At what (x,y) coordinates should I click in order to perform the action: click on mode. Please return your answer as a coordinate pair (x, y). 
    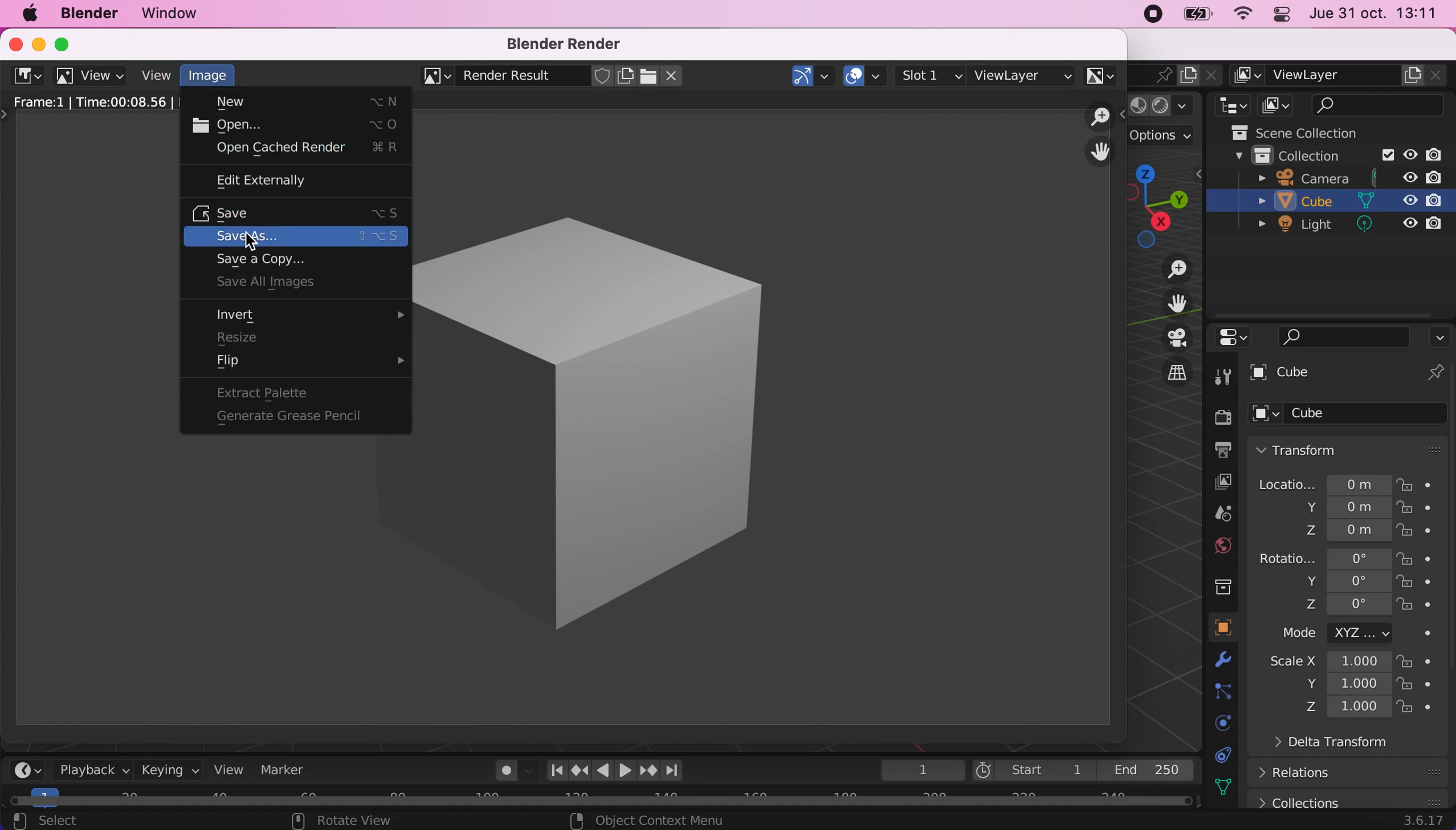
    Looking at the image, I should click on (1335, 635).